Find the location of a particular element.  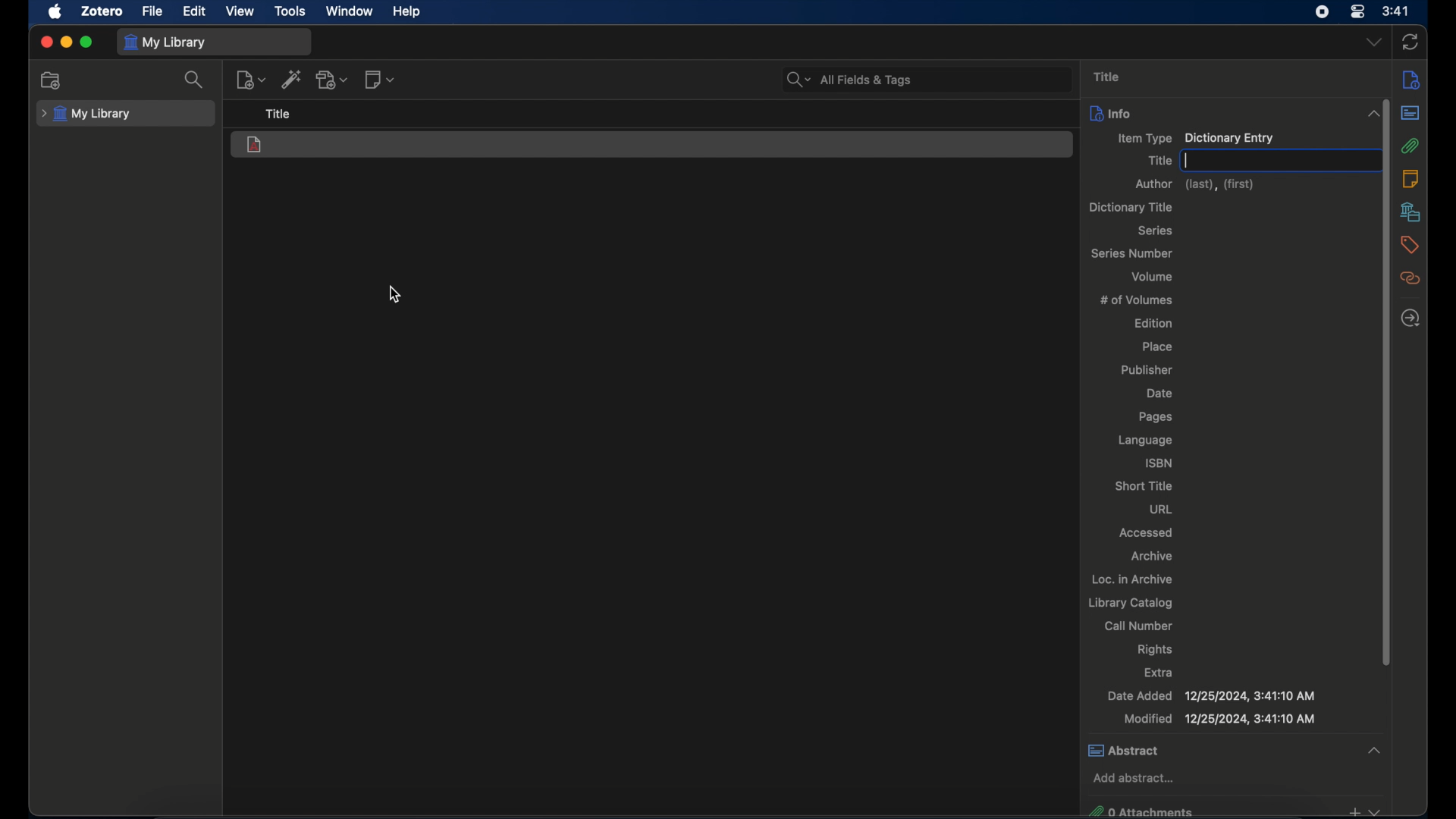

extra is located at coordinates (1160, 672).